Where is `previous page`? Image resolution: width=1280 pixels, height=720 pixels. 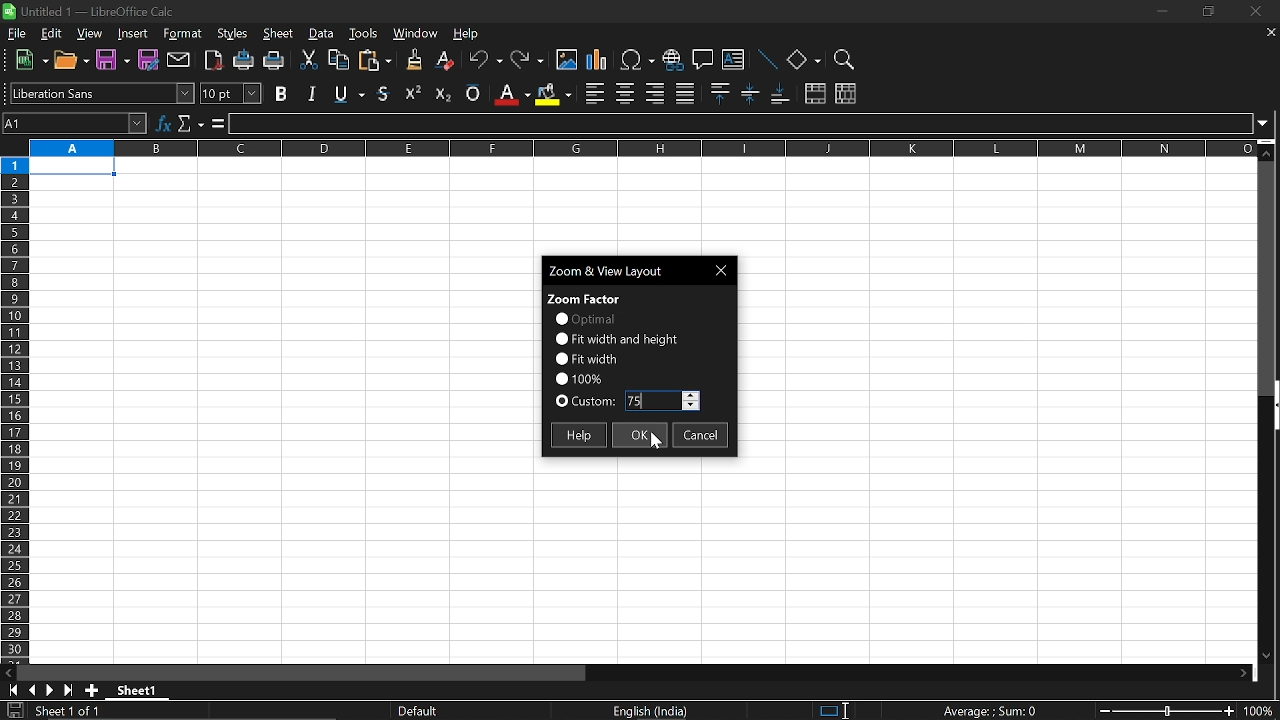 previous page is located at coordinates (32, 690).